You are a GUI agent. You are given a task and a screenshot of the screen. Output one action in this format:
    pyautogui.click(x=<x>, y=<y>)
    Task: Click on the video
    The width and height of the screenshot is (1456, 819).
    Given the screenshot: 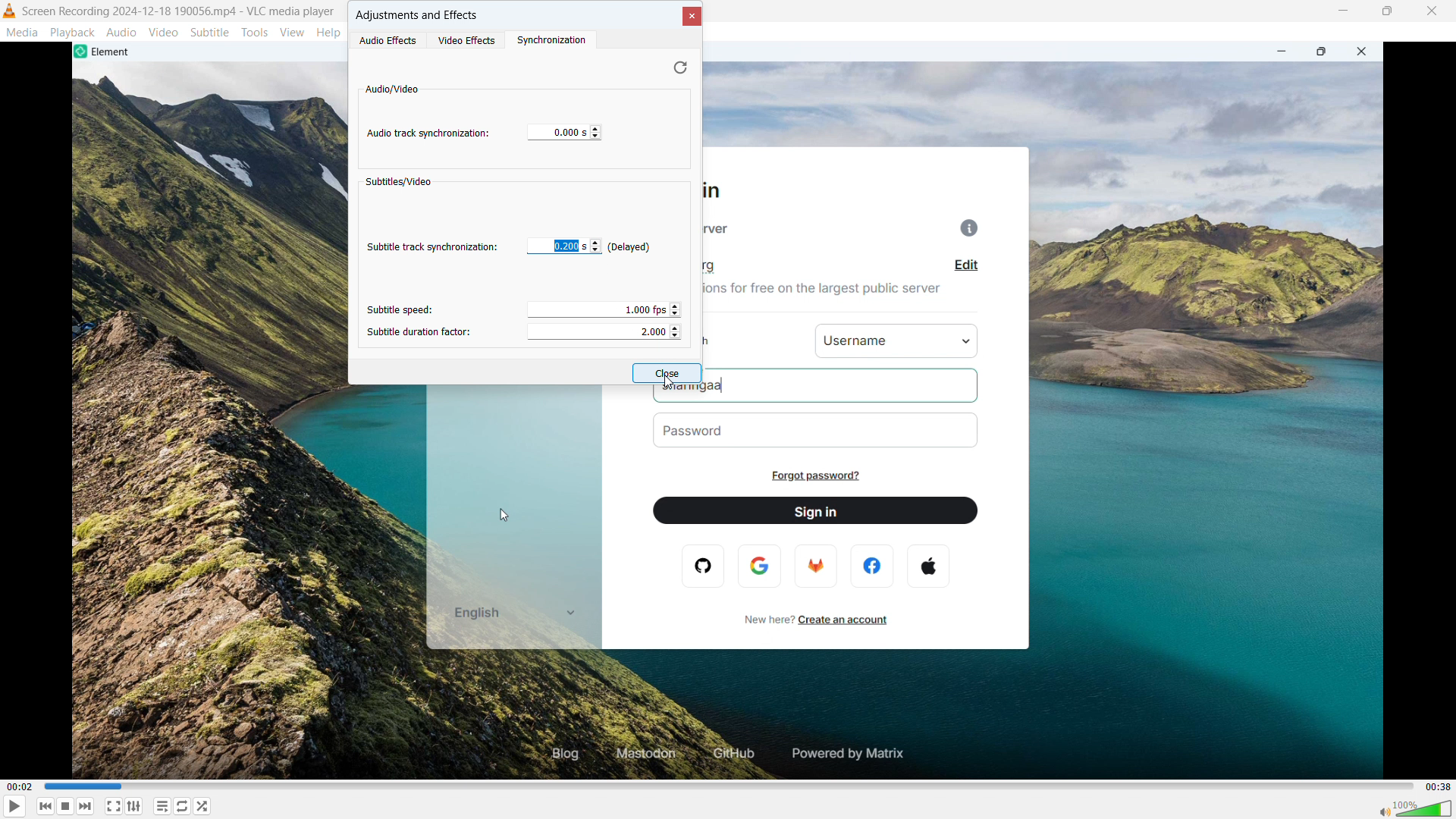 What is the action you would take?
    pyautogui.click(x=163, y=32)
    